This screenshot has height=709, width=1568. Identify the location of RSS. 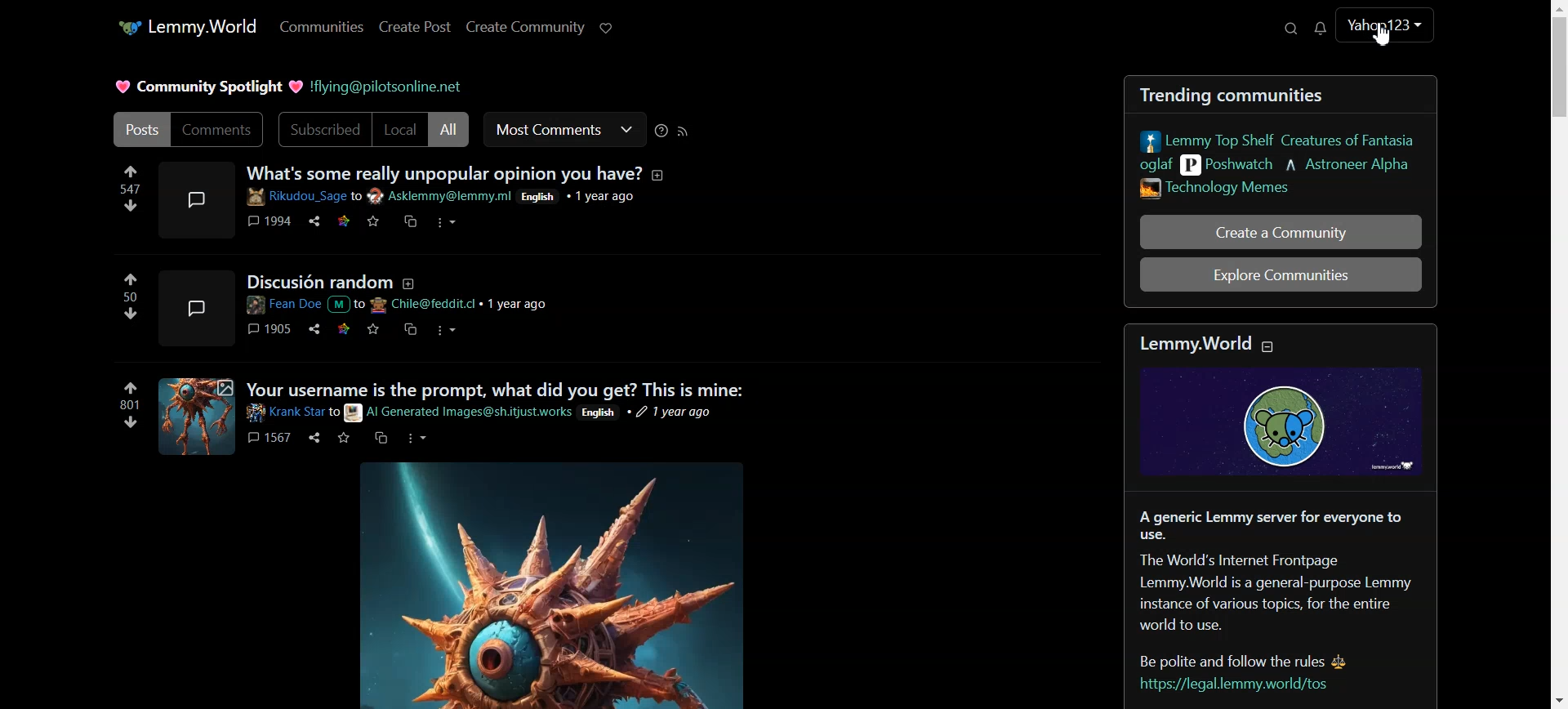
(683, 132).